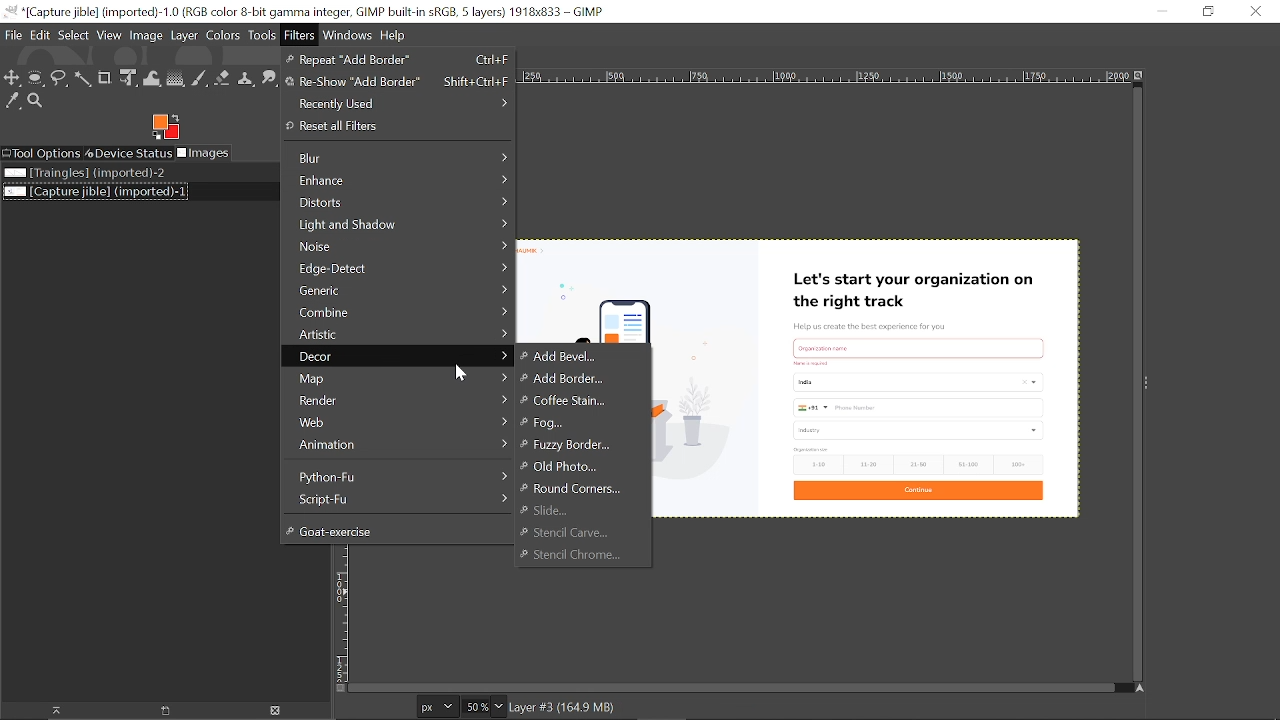  Describe the element at coordinates (262, 35) in the screenshot. I see `Tools` at that location.